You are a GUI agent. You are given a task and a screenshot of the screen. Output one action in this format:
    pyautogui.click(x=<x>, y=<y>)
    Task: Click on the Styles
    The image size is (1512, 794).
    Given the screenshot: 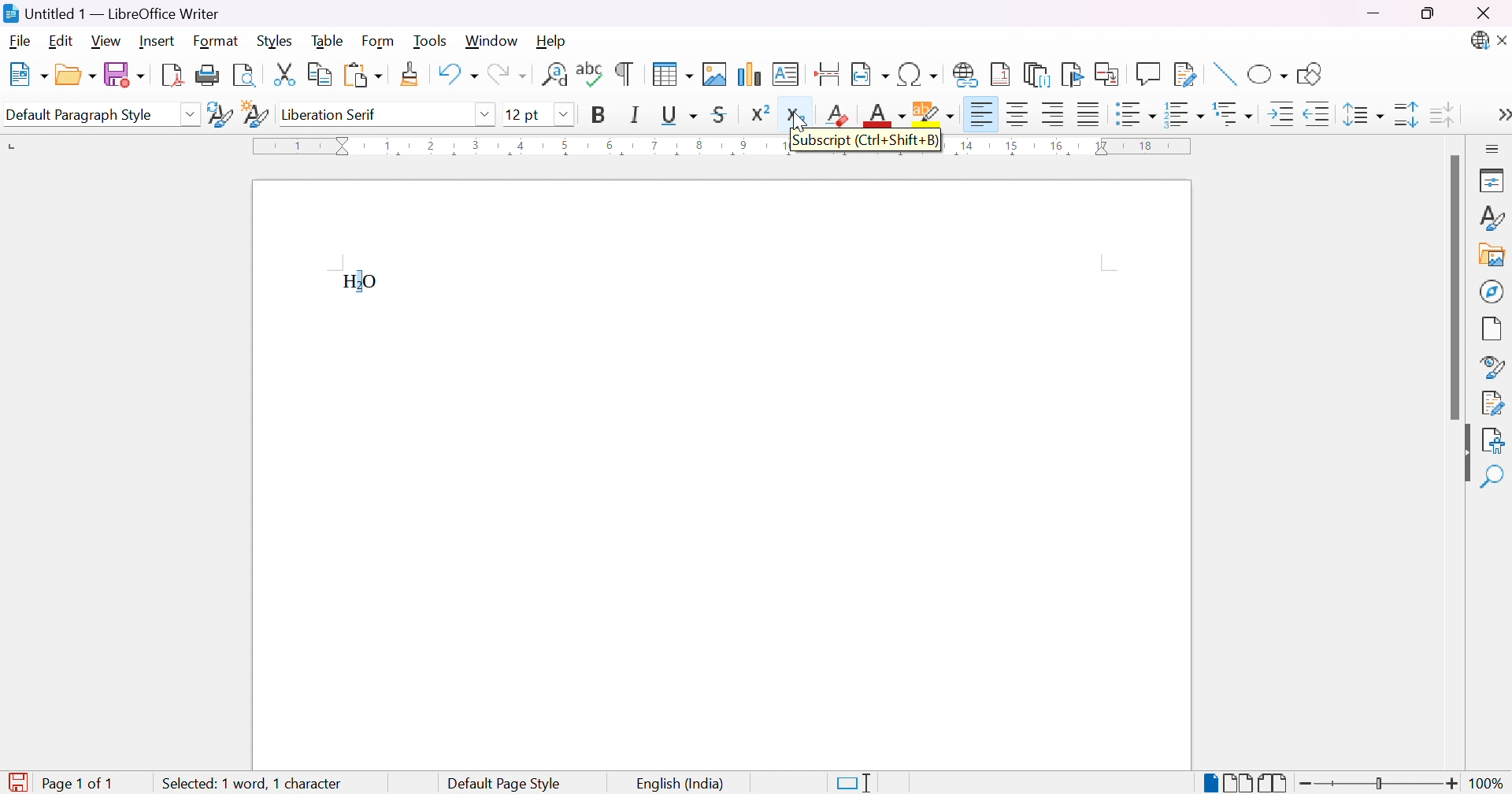 What is the action you would take?
    pyautogui.click(x=279, y=40)
    